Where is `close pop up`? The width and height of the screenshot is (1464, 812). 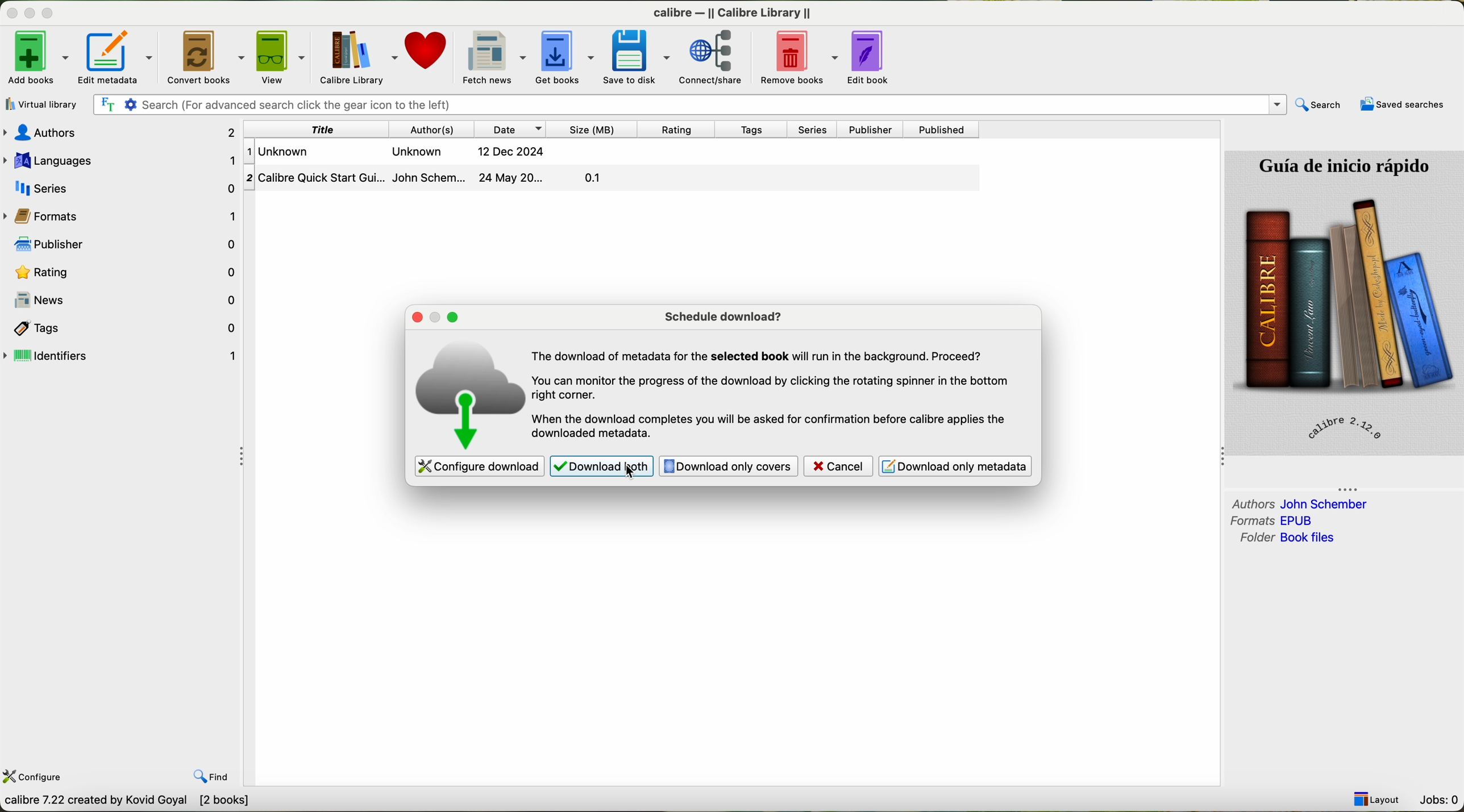
close pop up is located at coordinates (419, 317).